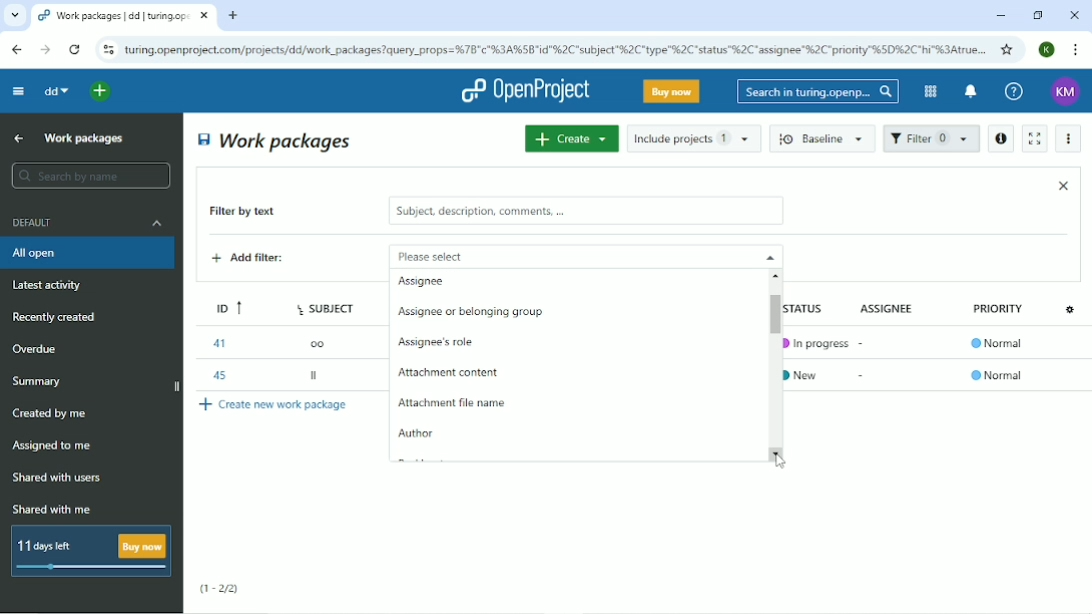 Image resolution: width=1092 pixels, height=614 pixels. Describe the element at coordinates (124, 16) in the screenshot. I see `Current tab` at that location.